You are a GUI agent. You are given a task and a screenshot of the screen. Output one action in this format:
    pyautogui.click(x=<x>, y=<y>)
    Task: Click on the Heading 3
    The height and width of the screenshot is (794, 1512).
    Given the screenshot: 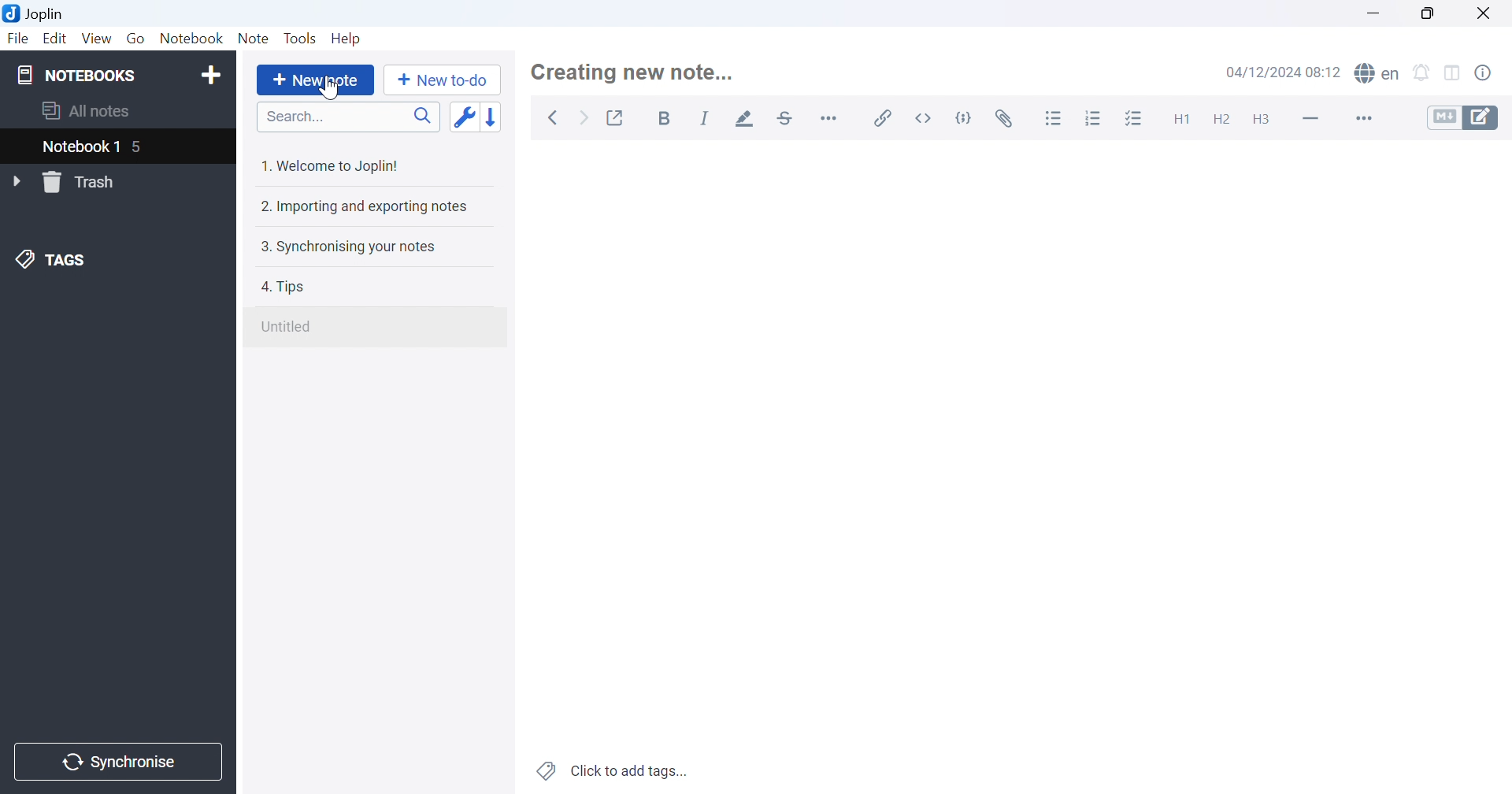 What is the action you would take?
    pyautogui.click(x=1269, y=121)
    